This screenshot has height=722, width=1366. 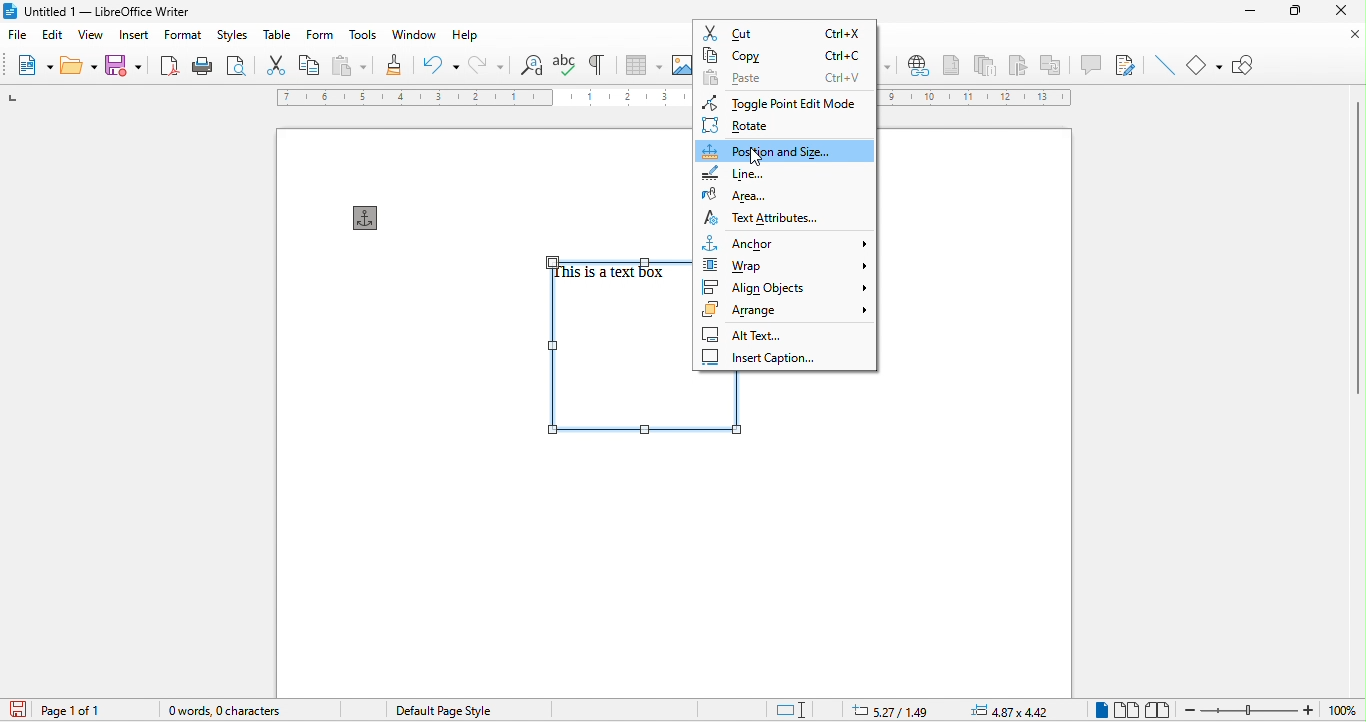 I want to click on area, so click(x=739, y=194).